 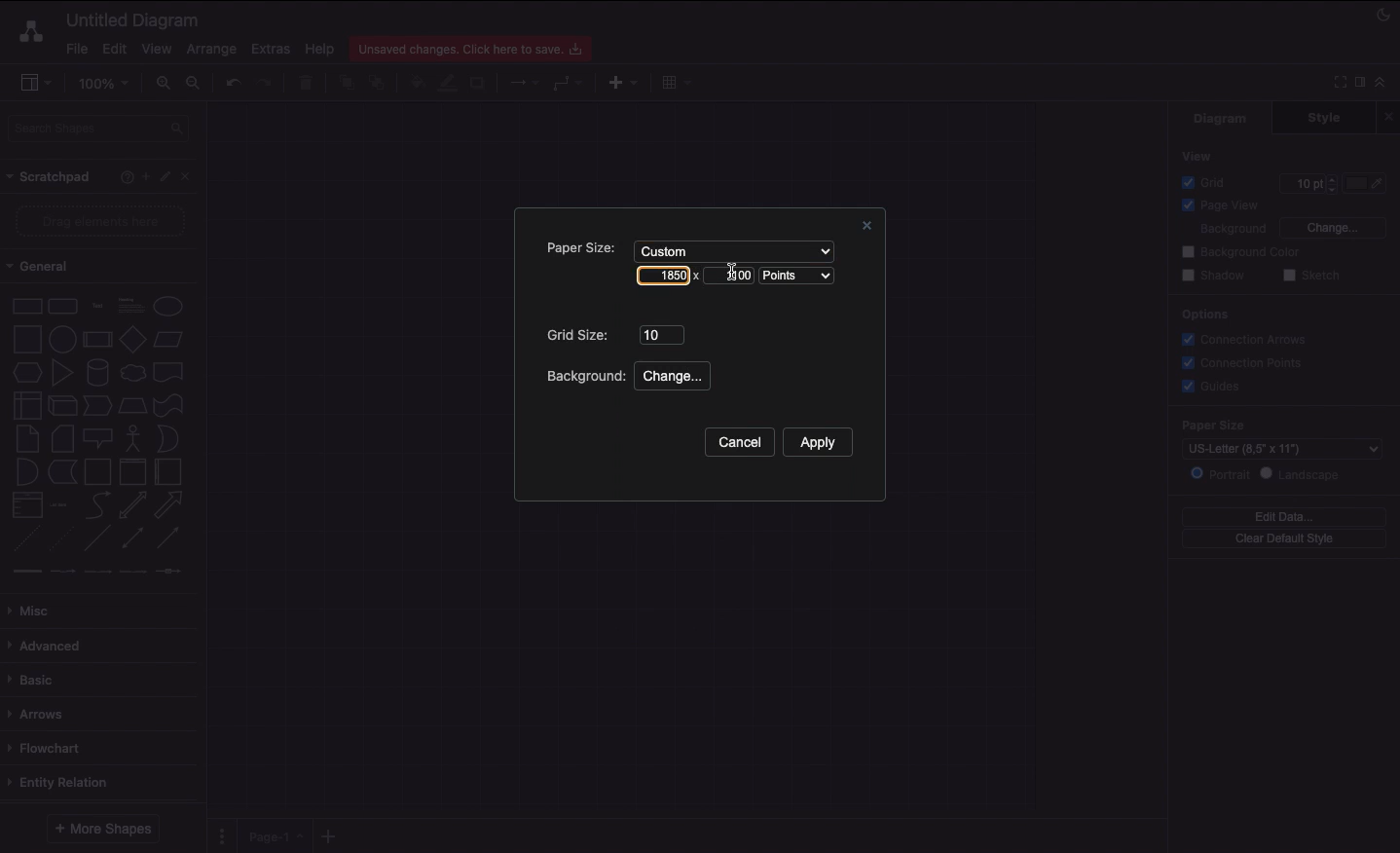 What do you see at coordinates (97, 471) in the screenshot?
I see `Container` at bounding box center [97, 471].